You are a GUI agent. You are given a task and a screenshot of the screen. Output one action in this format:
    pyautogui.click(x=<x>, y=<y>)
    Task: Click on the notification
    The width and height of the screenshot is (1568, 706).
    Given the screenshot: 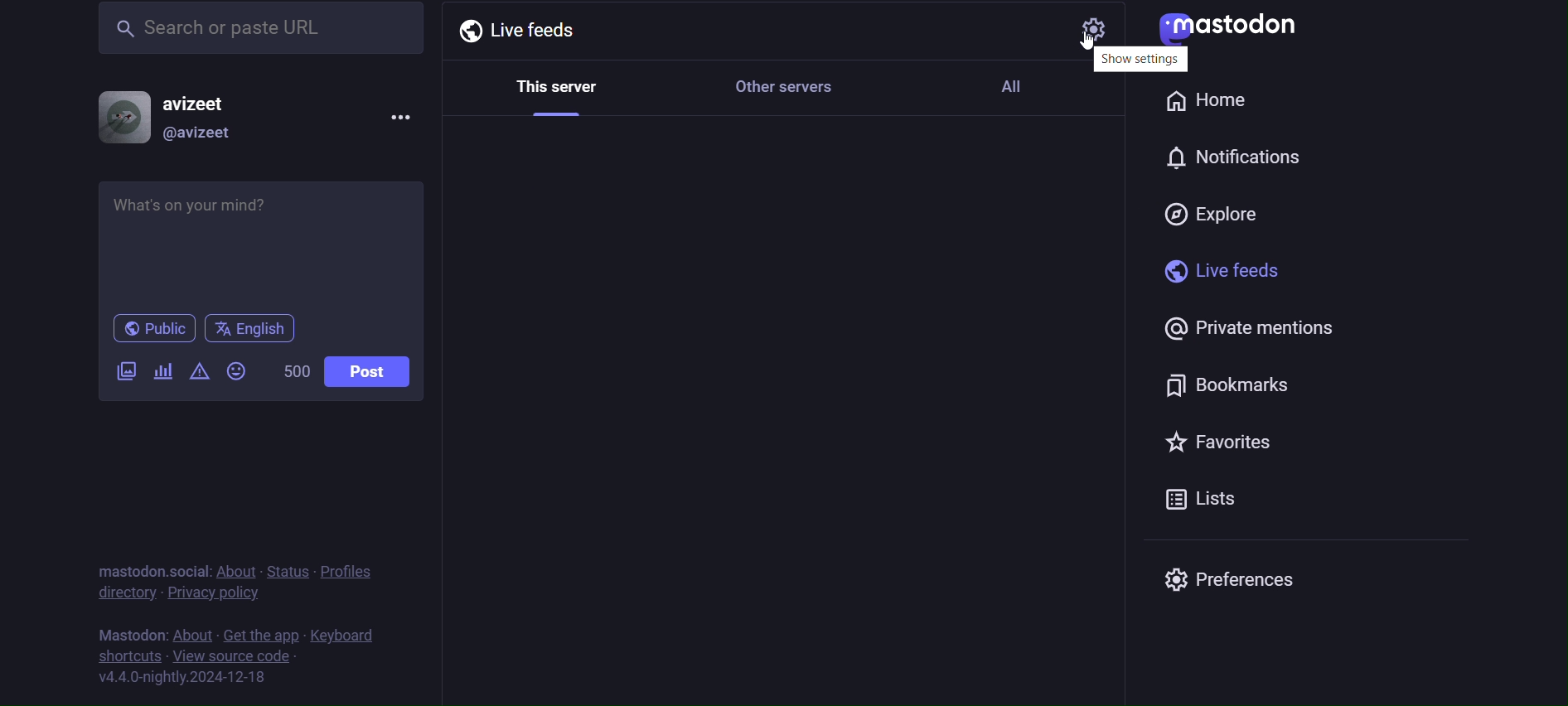 What is the action you would take?
    pyautogui.click(x=1228, y=157)
    